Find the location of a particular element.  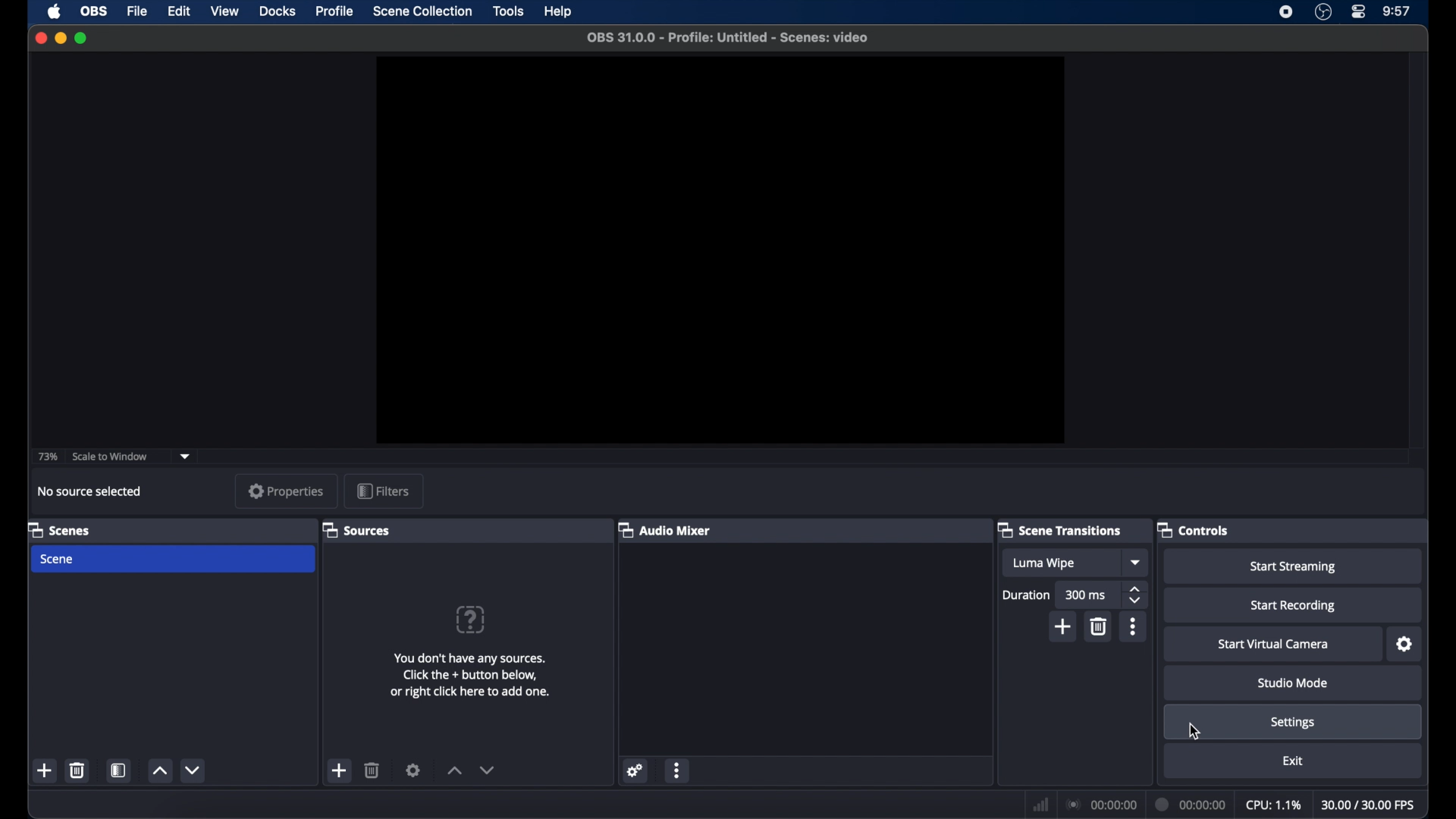

tools is located at coordinates (509, 11).